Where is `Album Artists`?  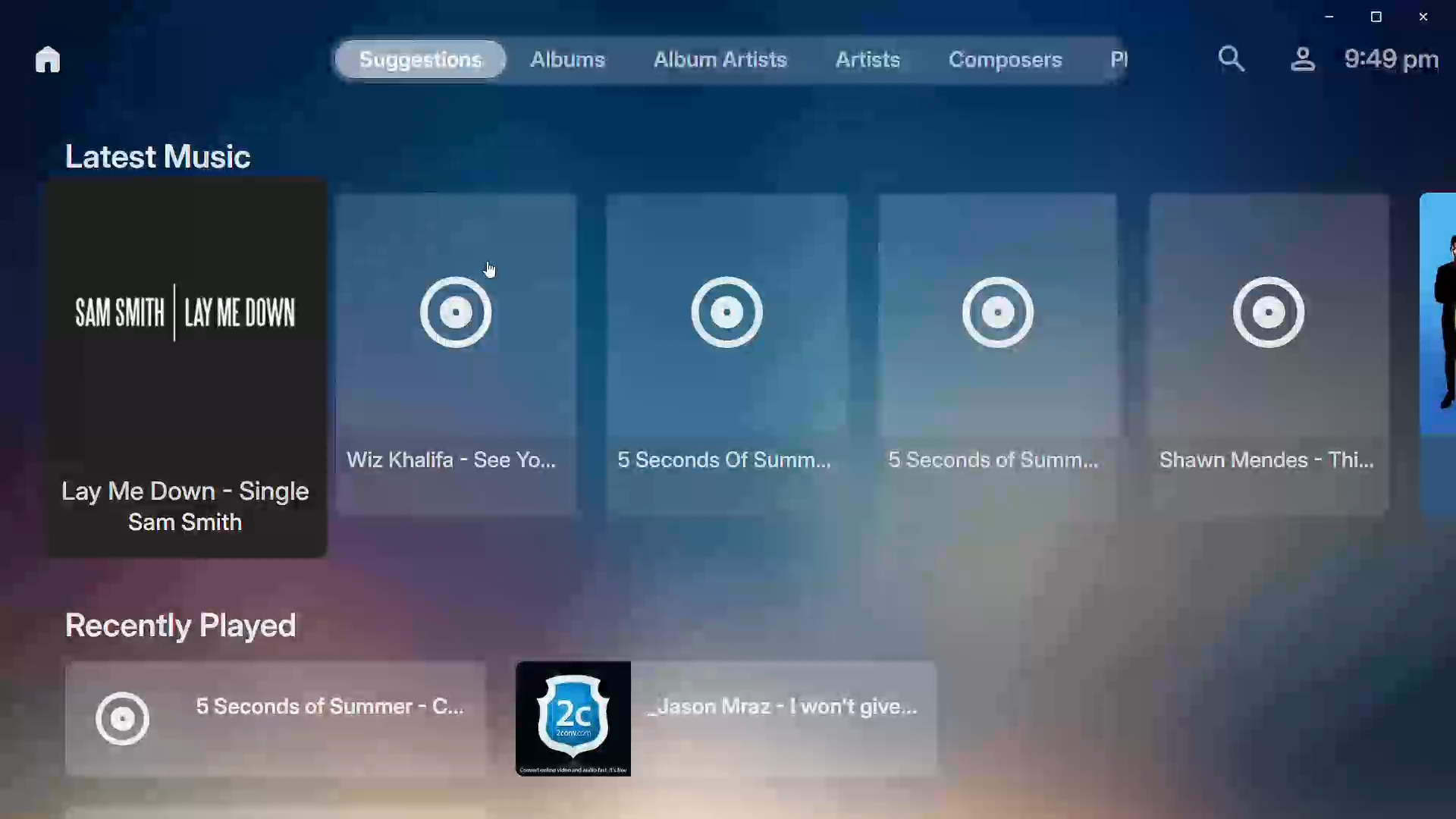 Album Artists is located at coordinates (711, 60).